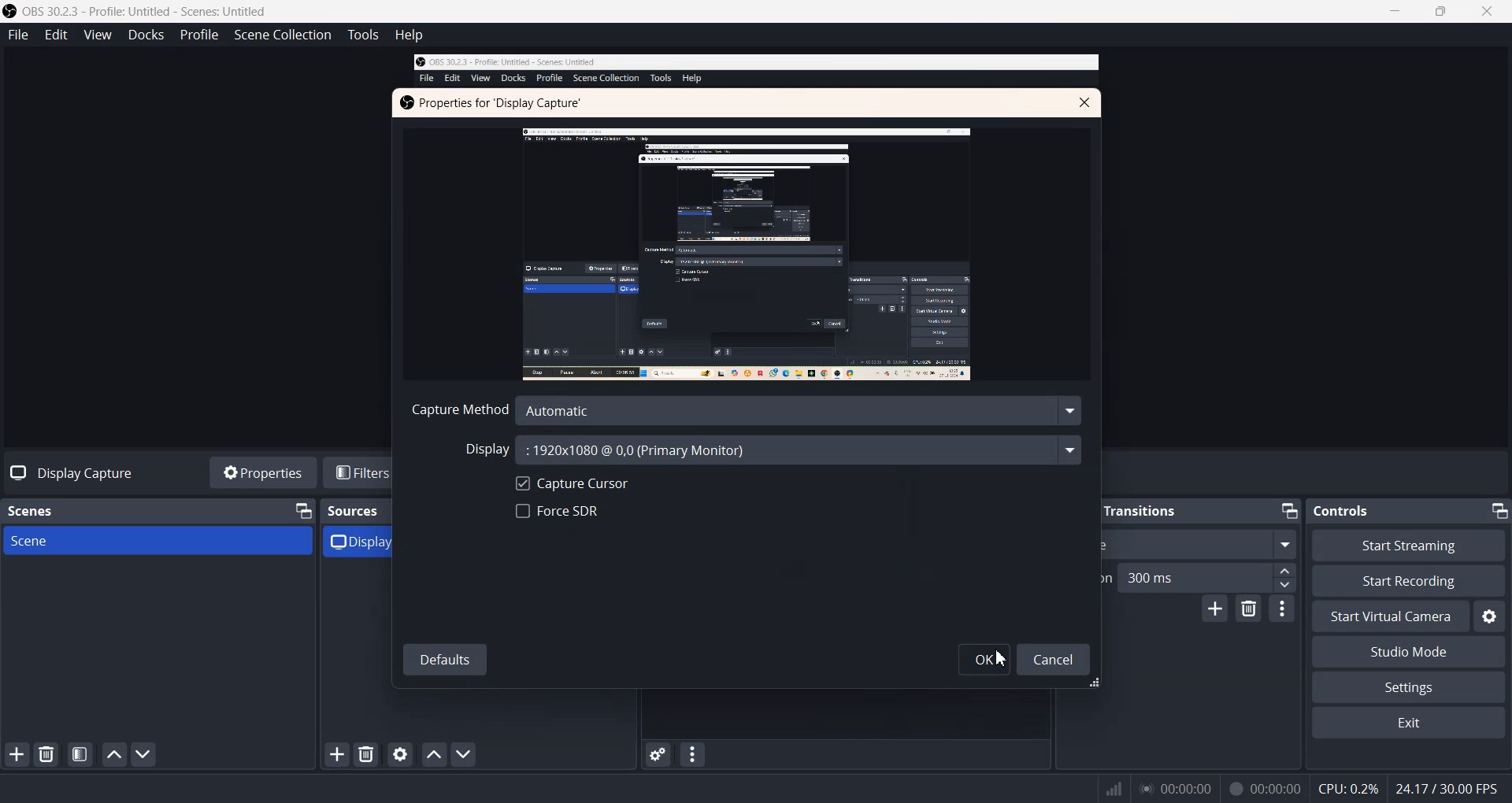  What do you see at coordinates (282, 35) in the screenshot?
I see `Scene Collection` at bounding box center [282, 35].